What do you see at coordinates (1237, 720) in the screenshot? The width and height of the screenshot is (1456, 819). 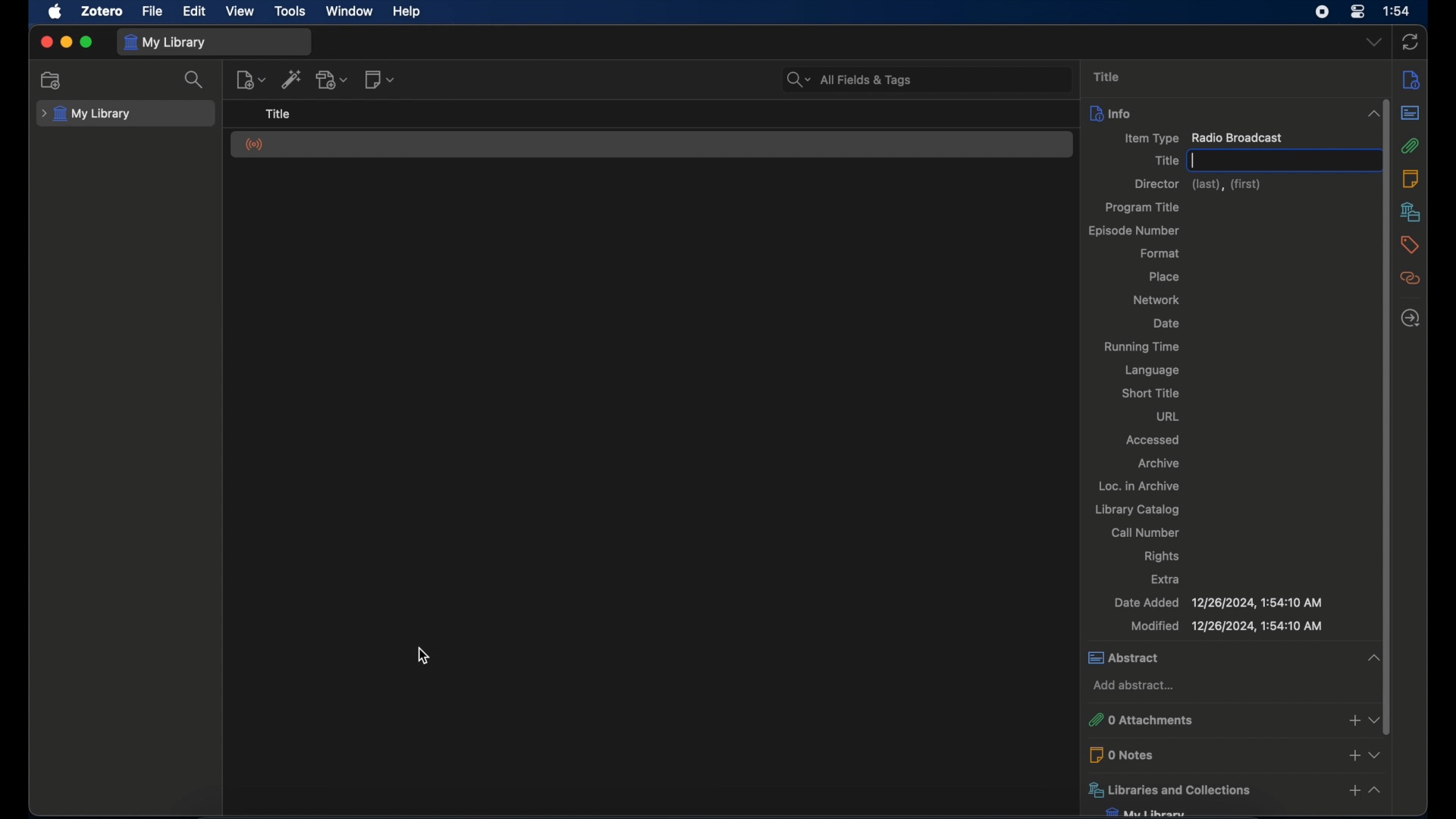 I see `0 attachments` at bounding box center [1237, 720].